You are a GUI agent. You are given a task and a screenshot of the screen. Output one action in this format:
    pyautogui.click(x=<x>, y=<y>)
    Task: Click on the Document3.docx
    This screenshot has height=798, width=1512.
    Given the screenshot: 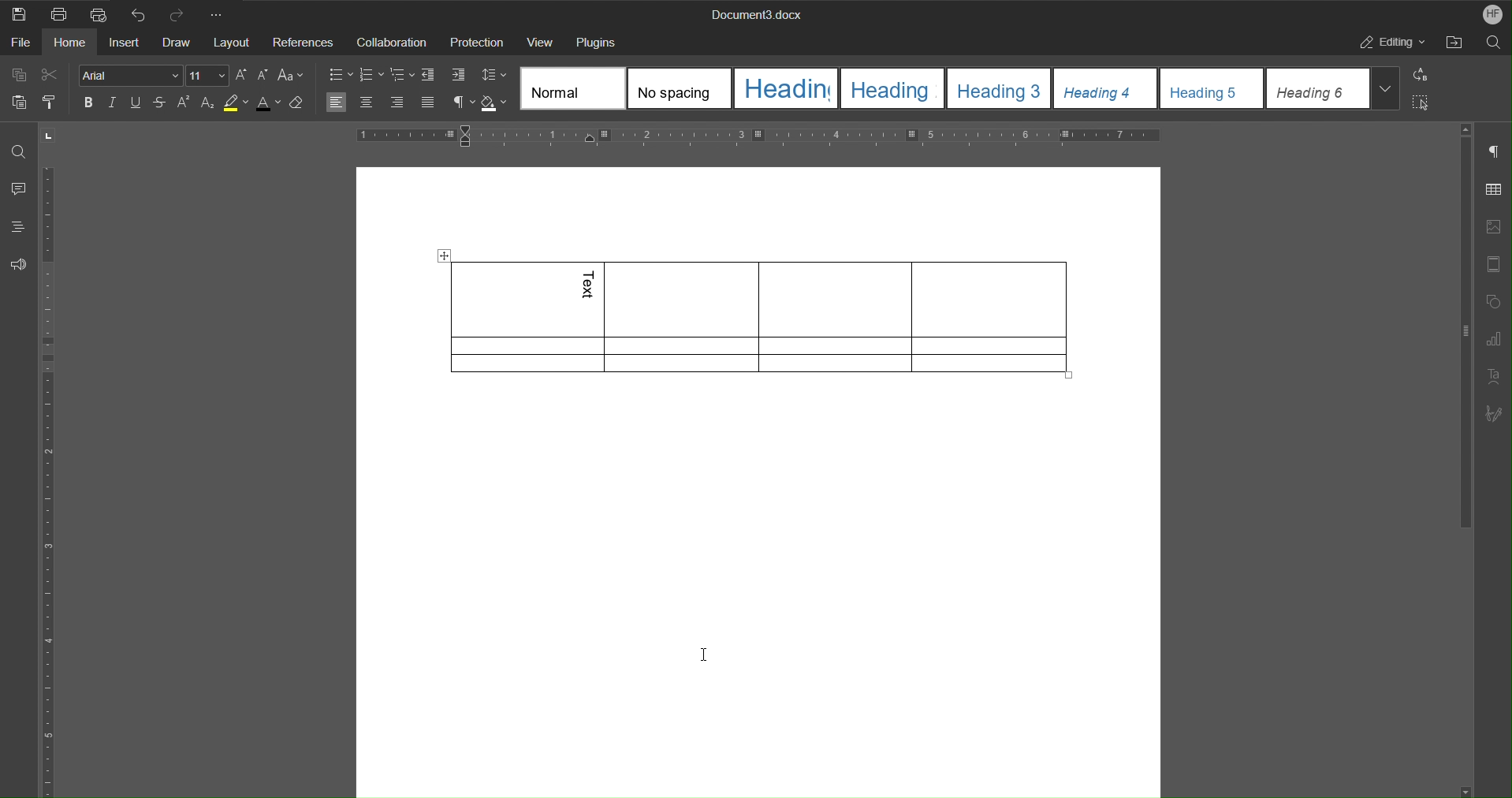 What is the action you would take?
    pyautogui.click(x=758, y=13)
    